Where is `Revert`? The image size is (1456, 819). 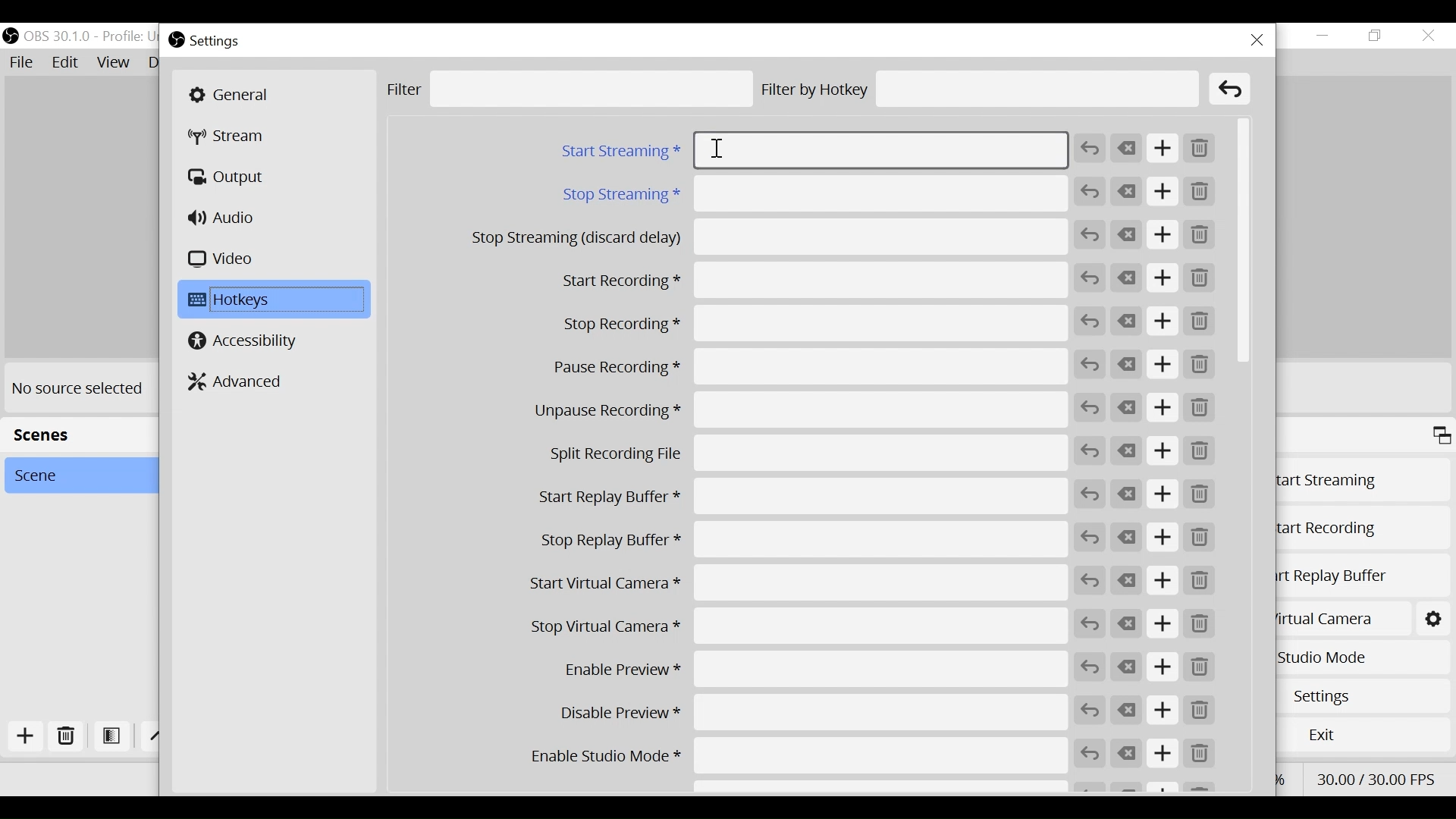 Revert is located at coordinates (1090, 494).